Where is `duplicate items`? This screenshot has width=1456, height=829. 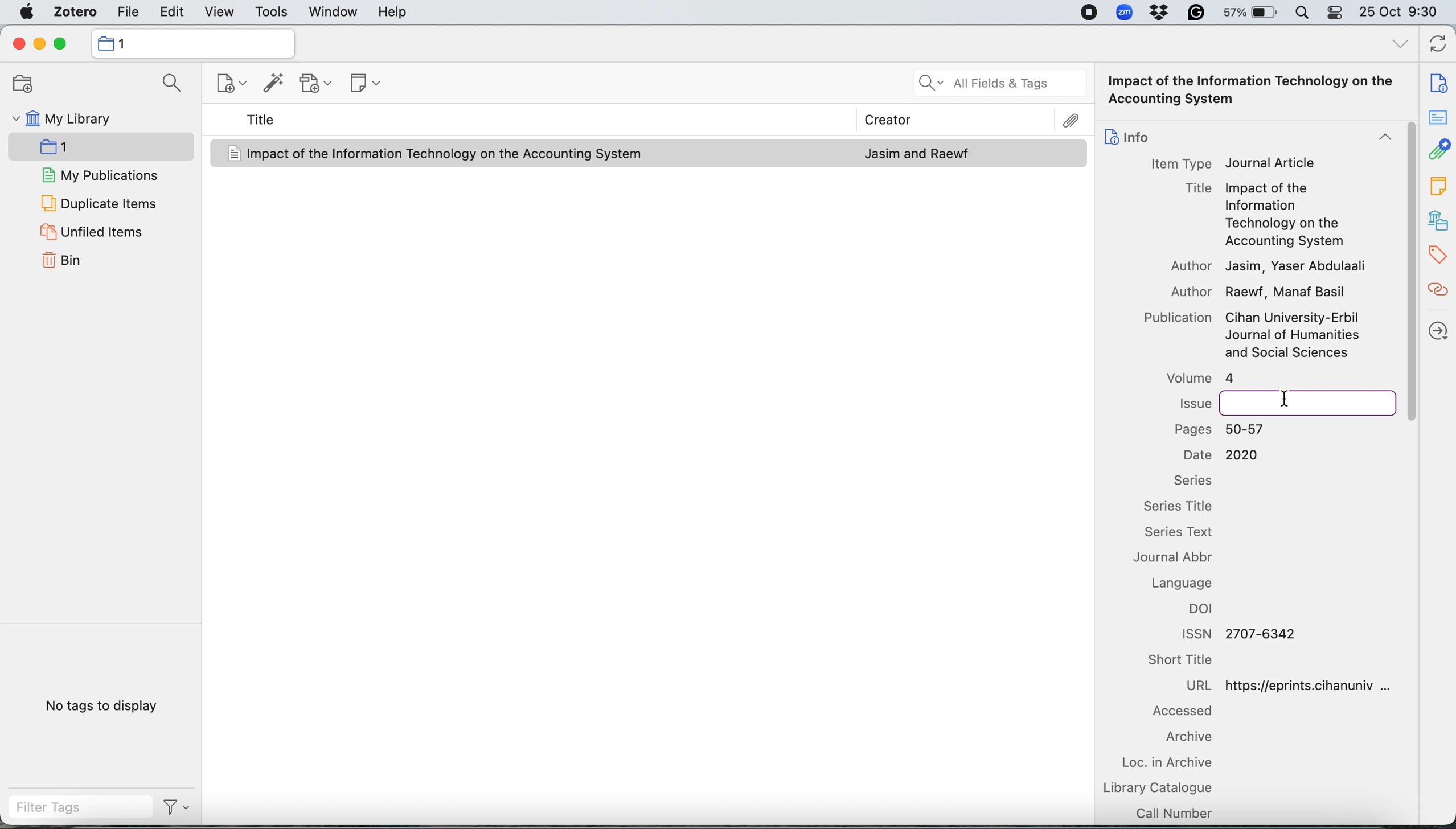
duplicate items is located at coordinates (99, 201).